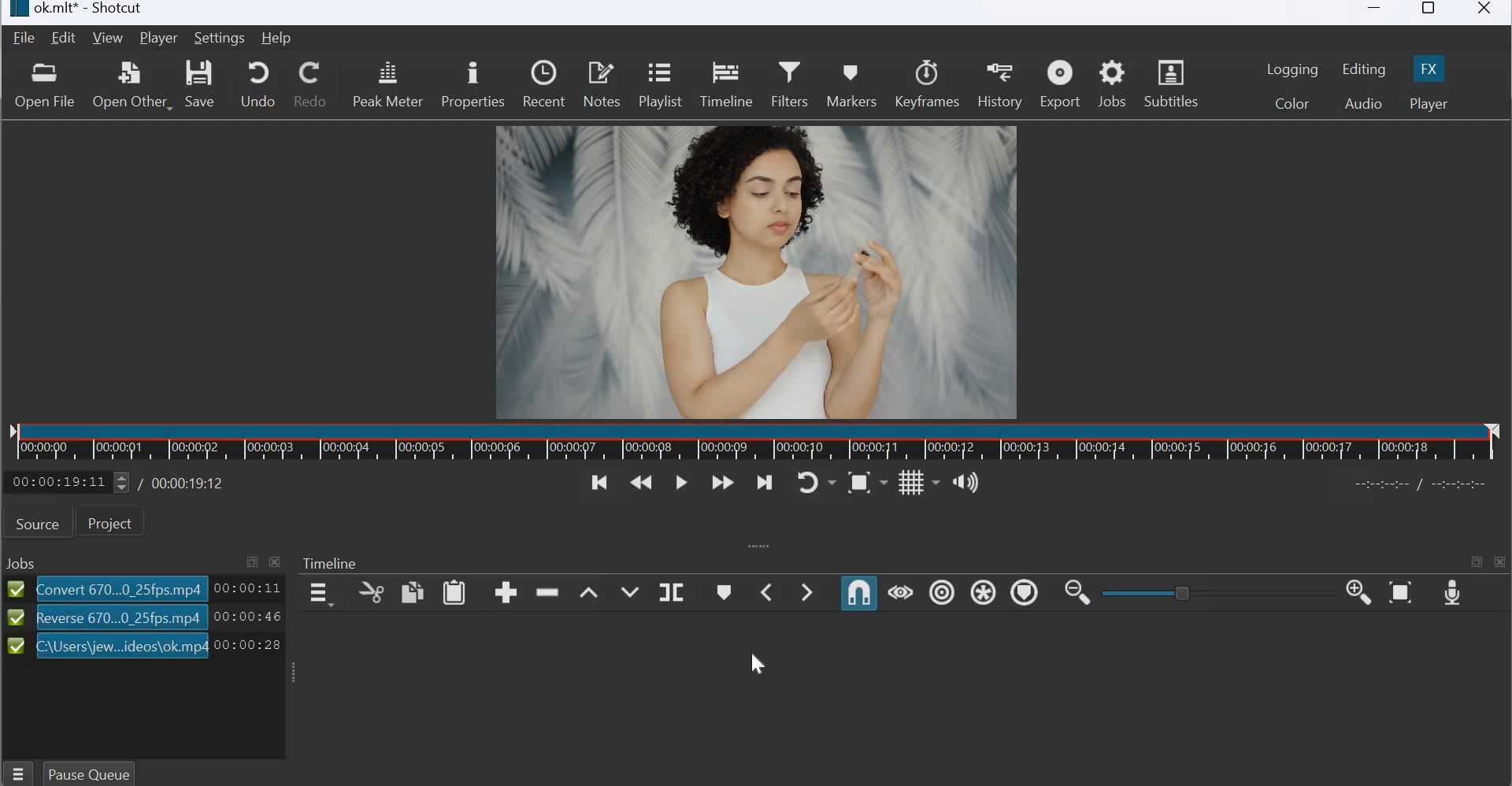 This screenshot has height=786, width=1512. What do you see at coordinates (1209, 591) in the screenshot?
I see `toggle` at bounding box center [1209, 591].